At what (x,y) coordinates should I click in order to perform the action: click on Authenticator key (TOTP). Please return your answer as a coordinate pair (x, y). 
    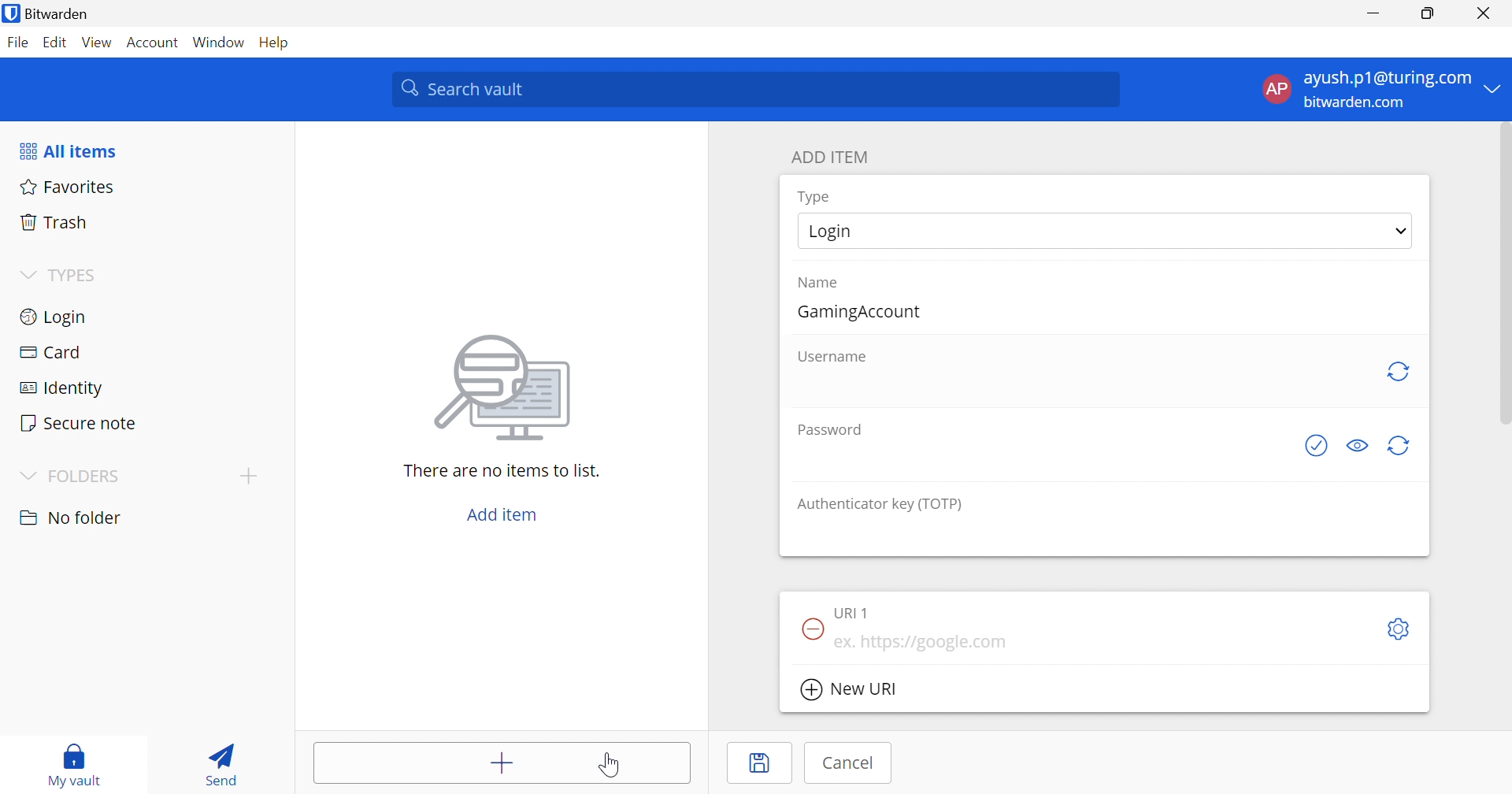
    Looking at the image, I should click on (884, 504).